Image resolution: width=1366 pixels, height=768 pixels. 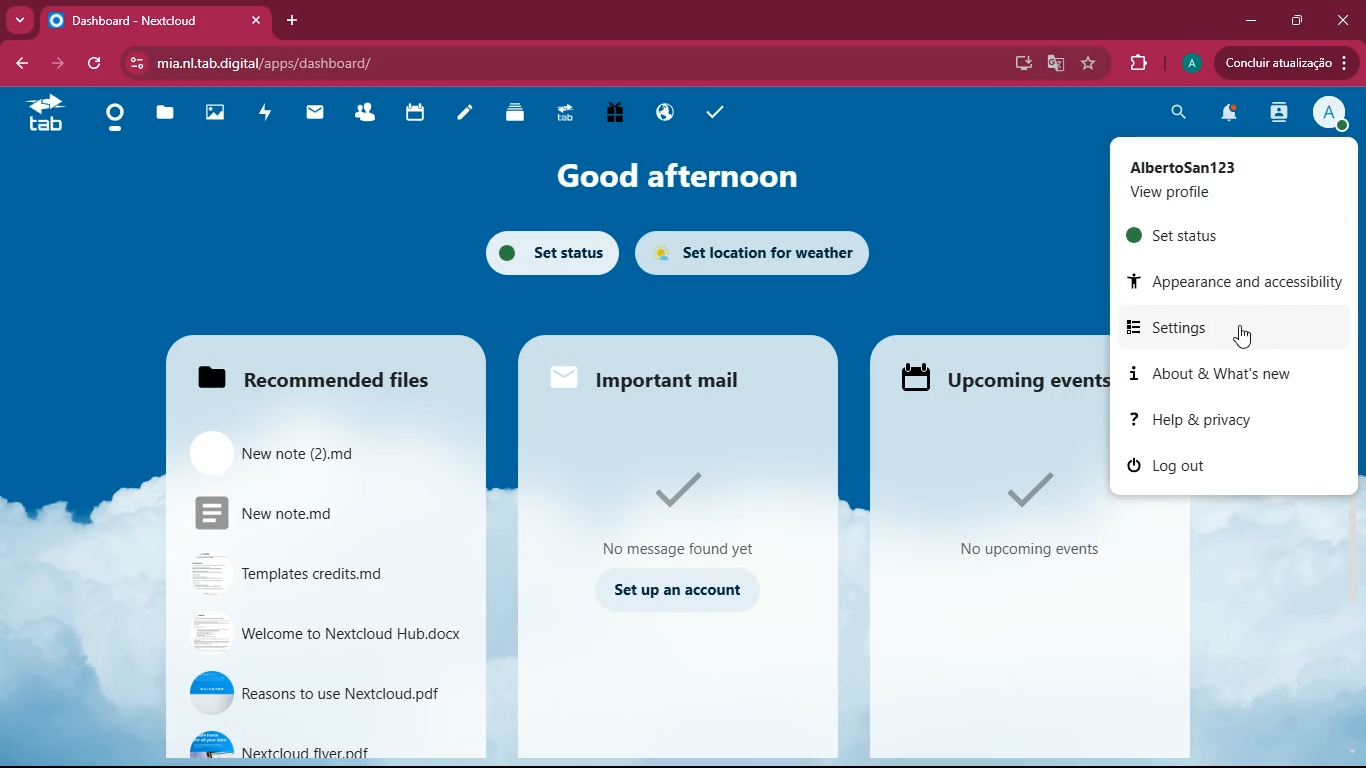 What do you see at coordinates (1192, 63) in the screenshot?
I see `profile` at bounding box center [1192, 63].